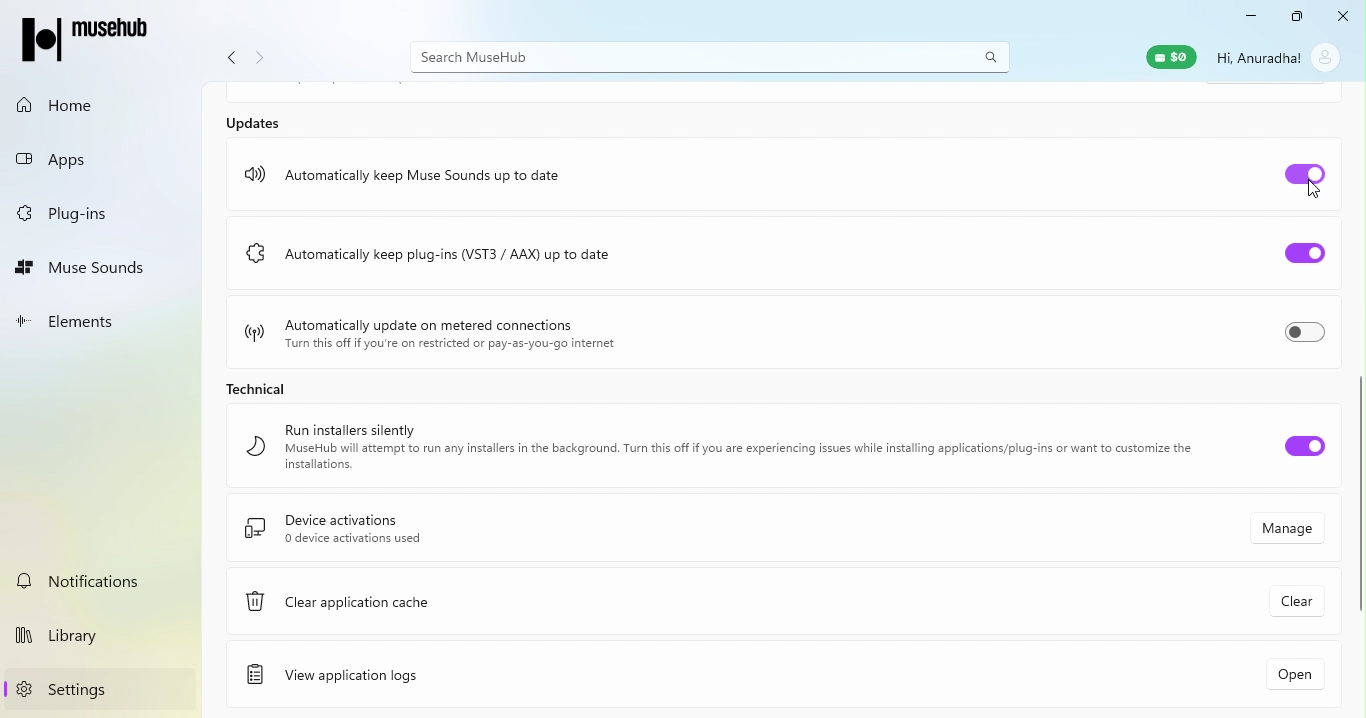 Image resolution: width=1366 pixels, height=718 pixels. I want to click on Apps, so click(85, 154).